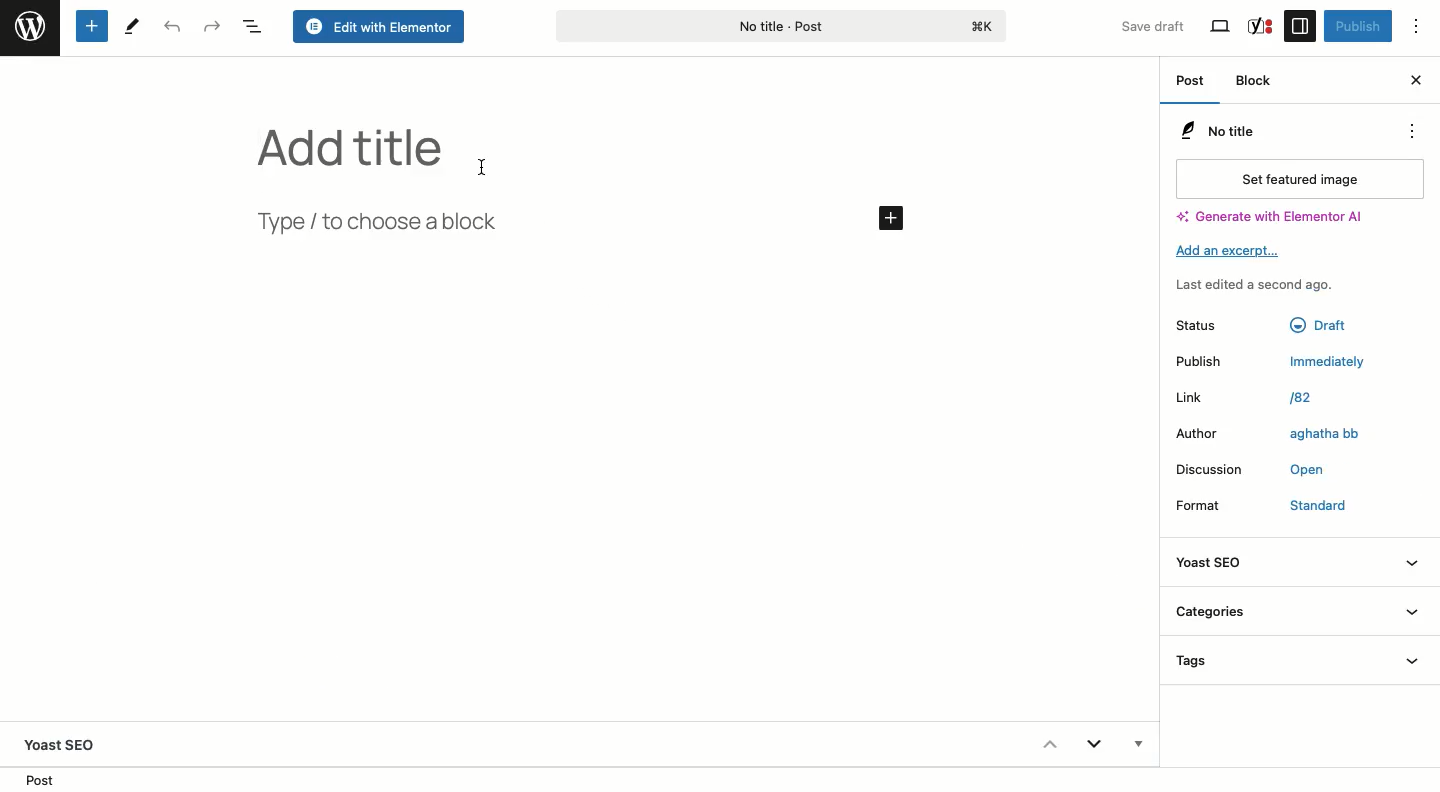  I want to click on Add new block, so click(90, 27).